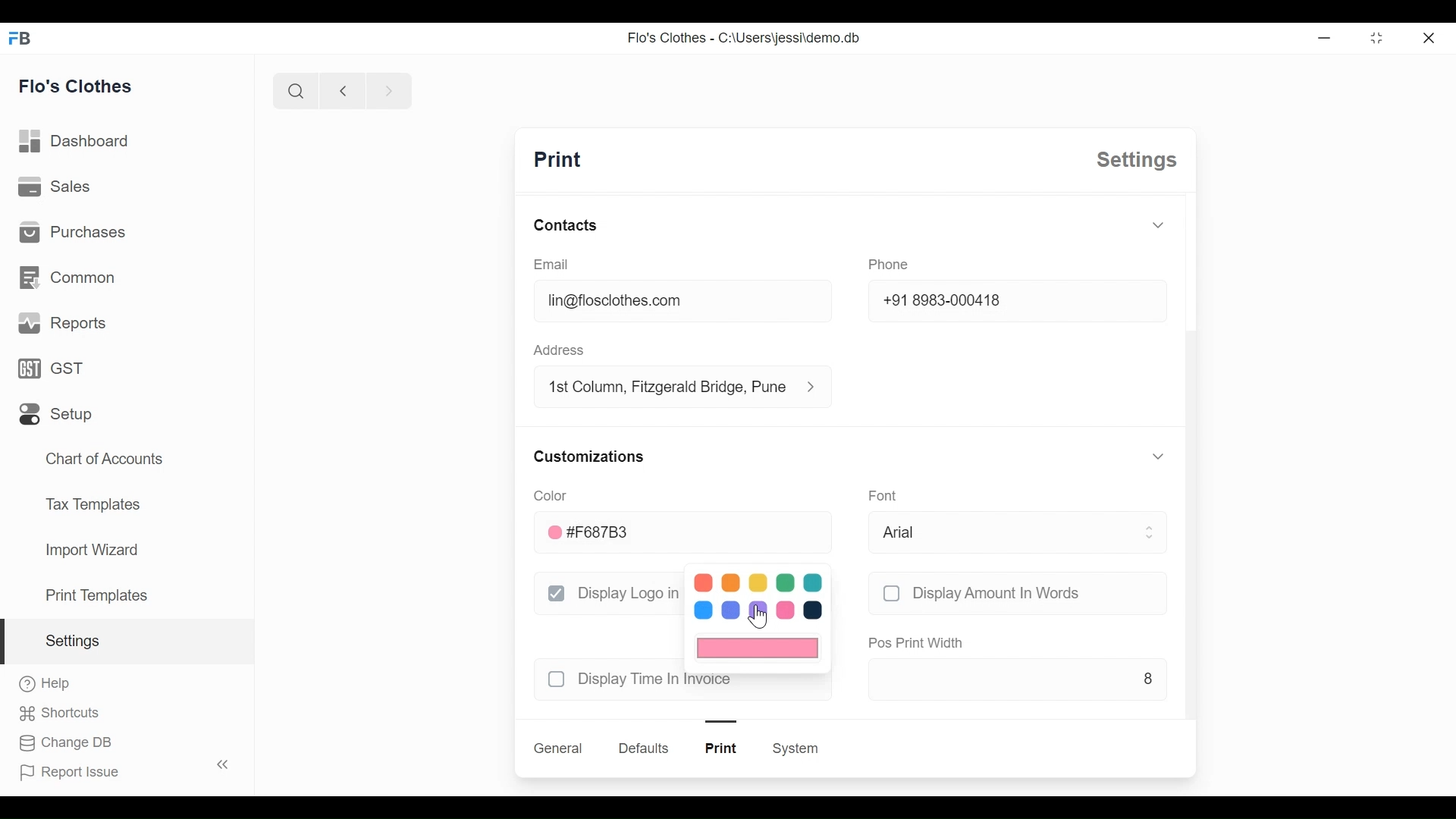 The image size is (1456, 819). I want to click on settings, so click(1137, 160).